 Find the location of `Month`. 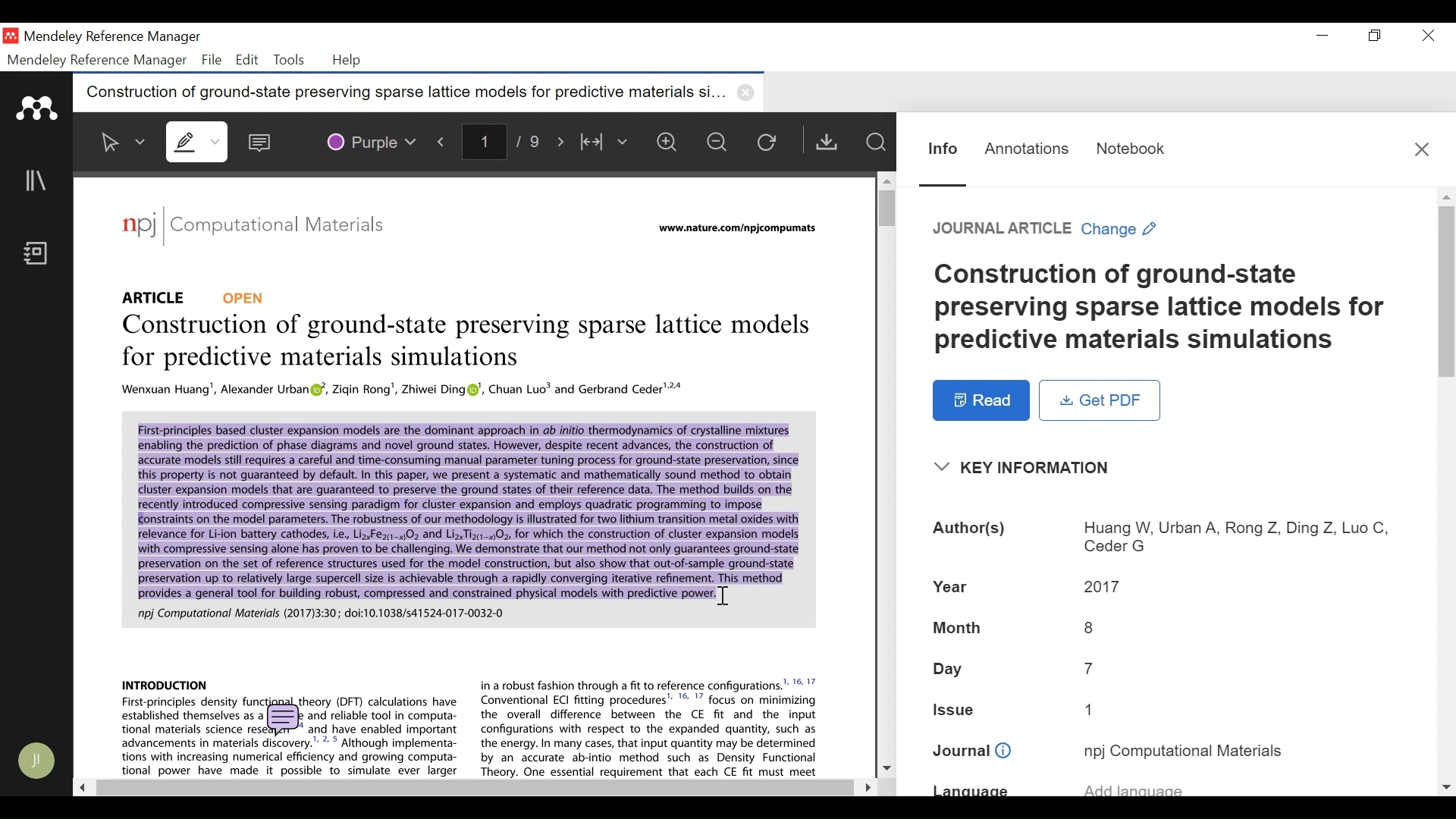

Month is located at coordinates (1090, 627).